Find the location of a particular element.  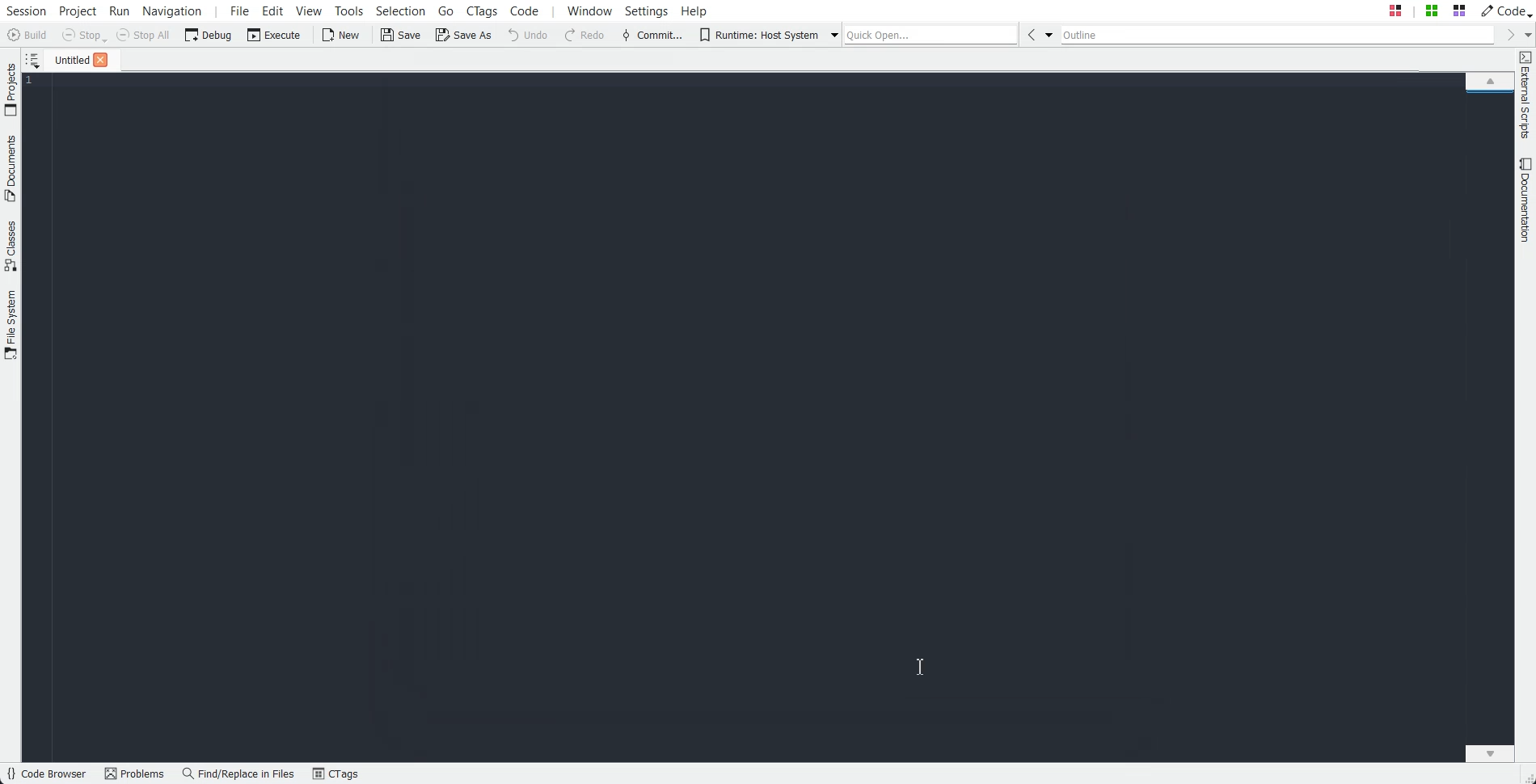

Quick Open is located at coordinates (1427, 11).